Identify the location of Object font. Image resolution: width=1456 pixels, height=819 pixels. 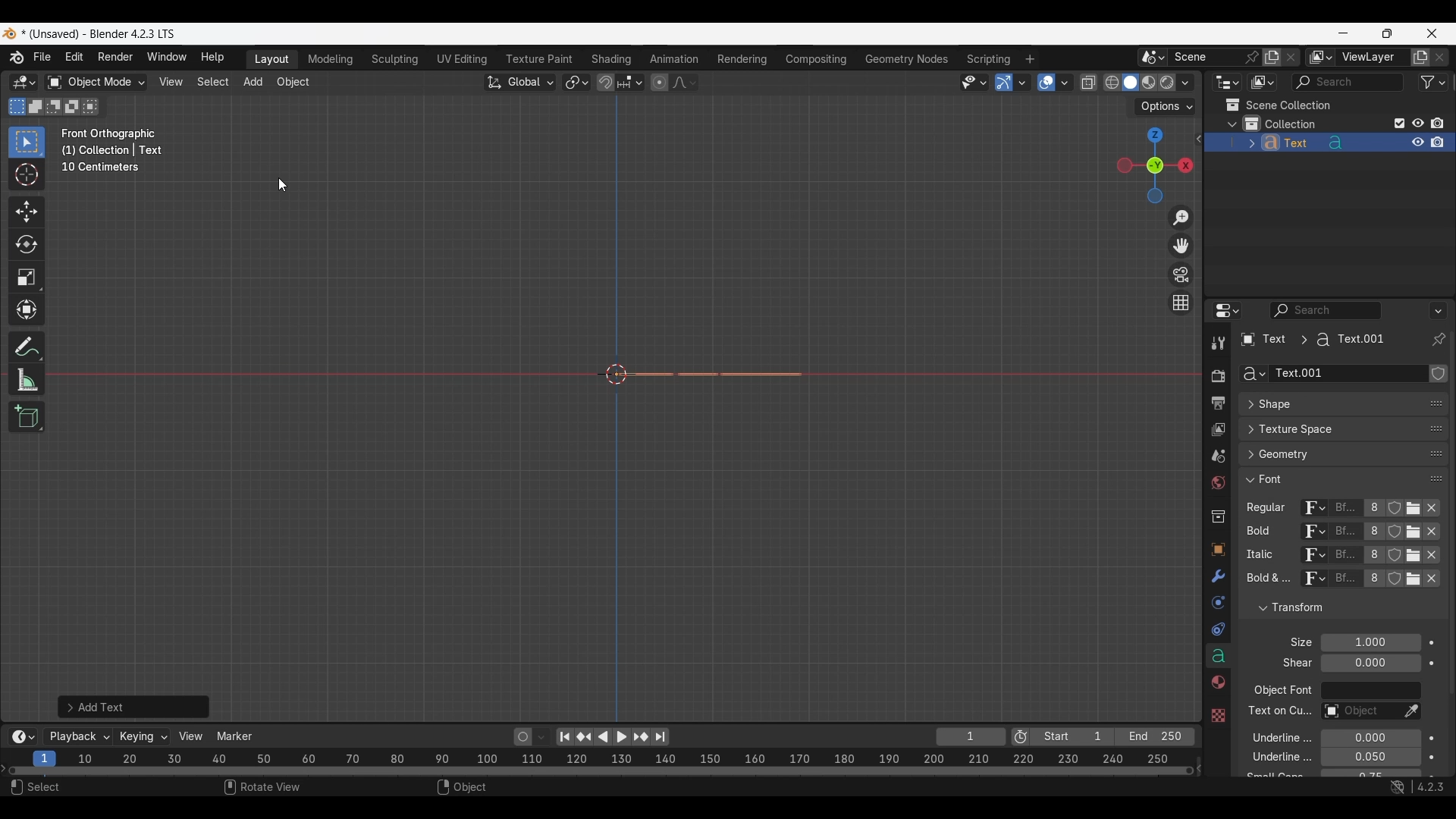
(1370, 691).